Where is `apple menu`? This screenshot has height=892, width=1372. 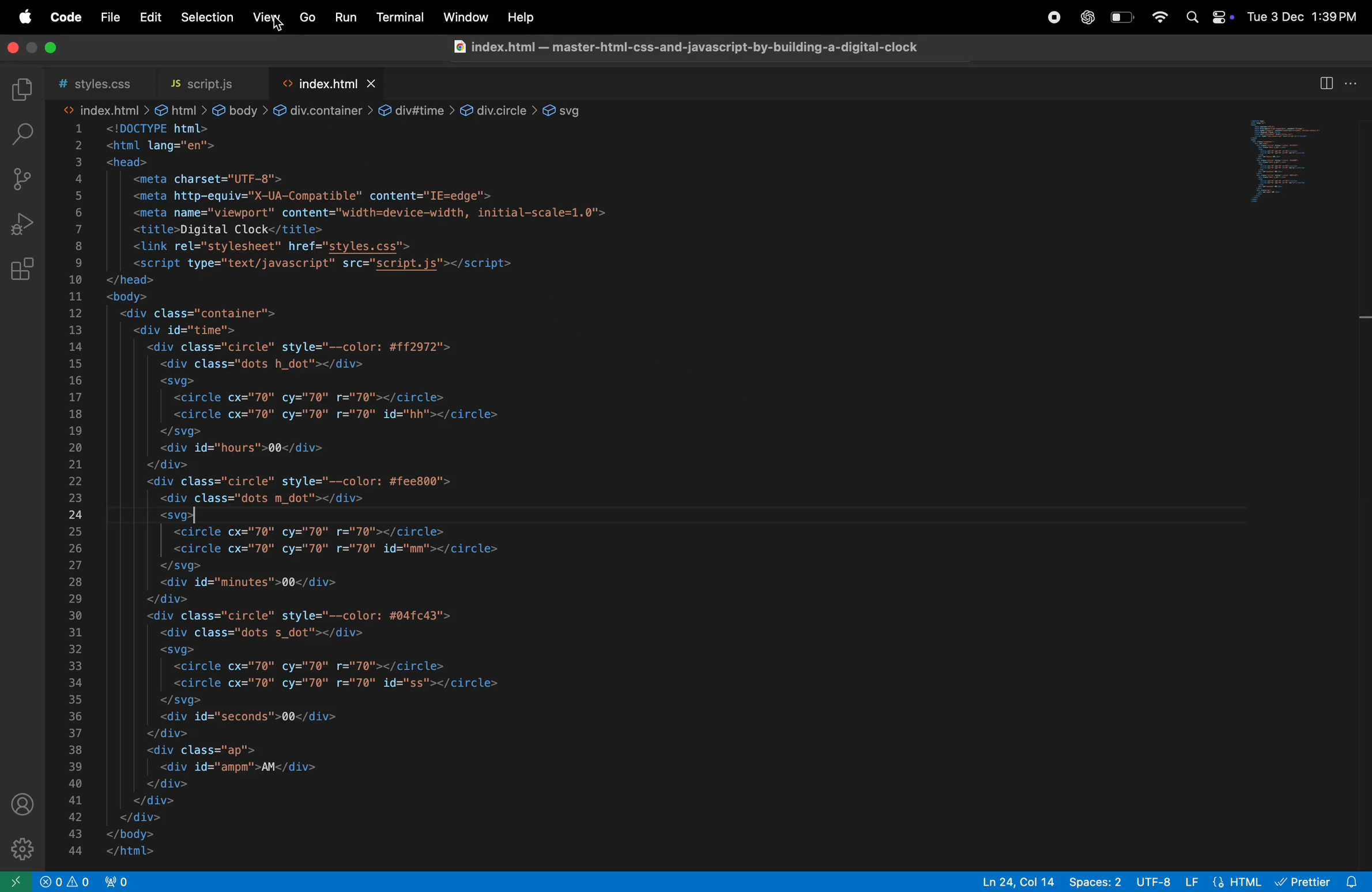 apple menu is located at coordinates (24, 17).